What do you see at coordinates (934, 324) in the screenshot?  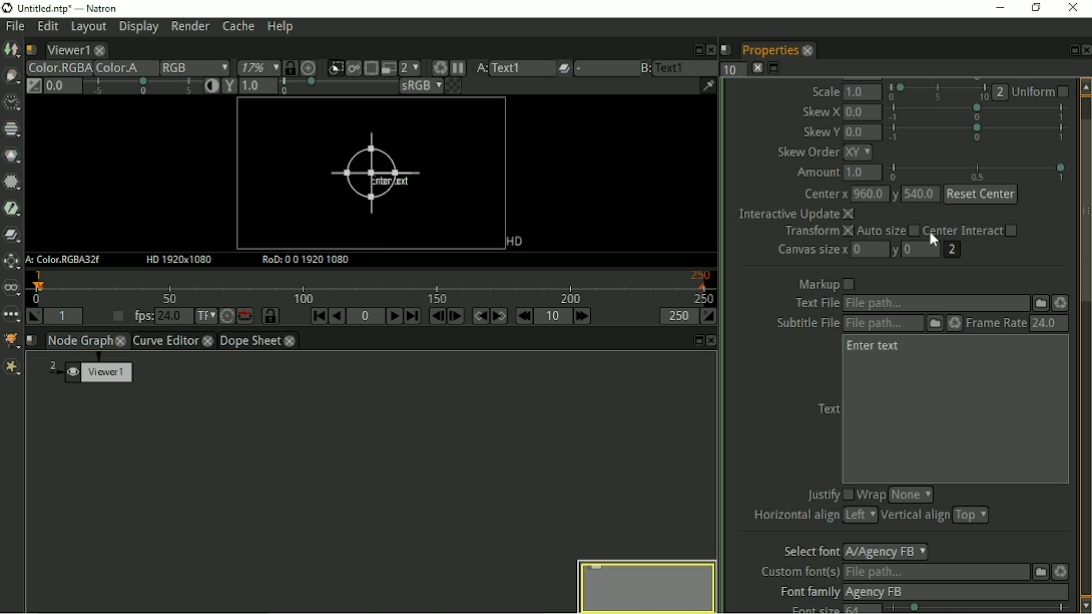 I see `Subtitle` at bounding box center [934, 324].